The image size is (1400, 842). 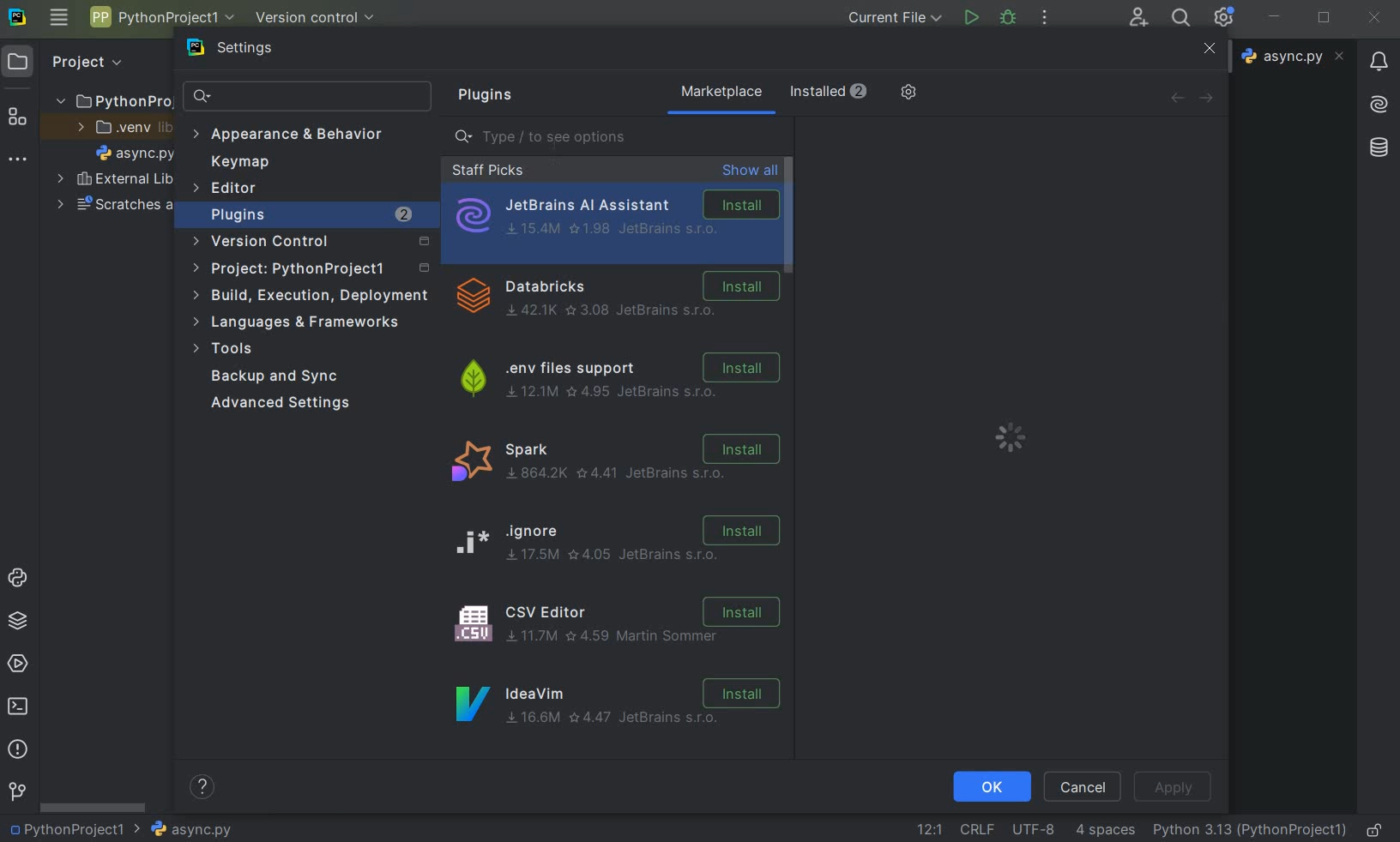 What do you see at coordinates (111, 207) in the screenshot?
I see `scratches and consoles` at bounding box center [111, 207].